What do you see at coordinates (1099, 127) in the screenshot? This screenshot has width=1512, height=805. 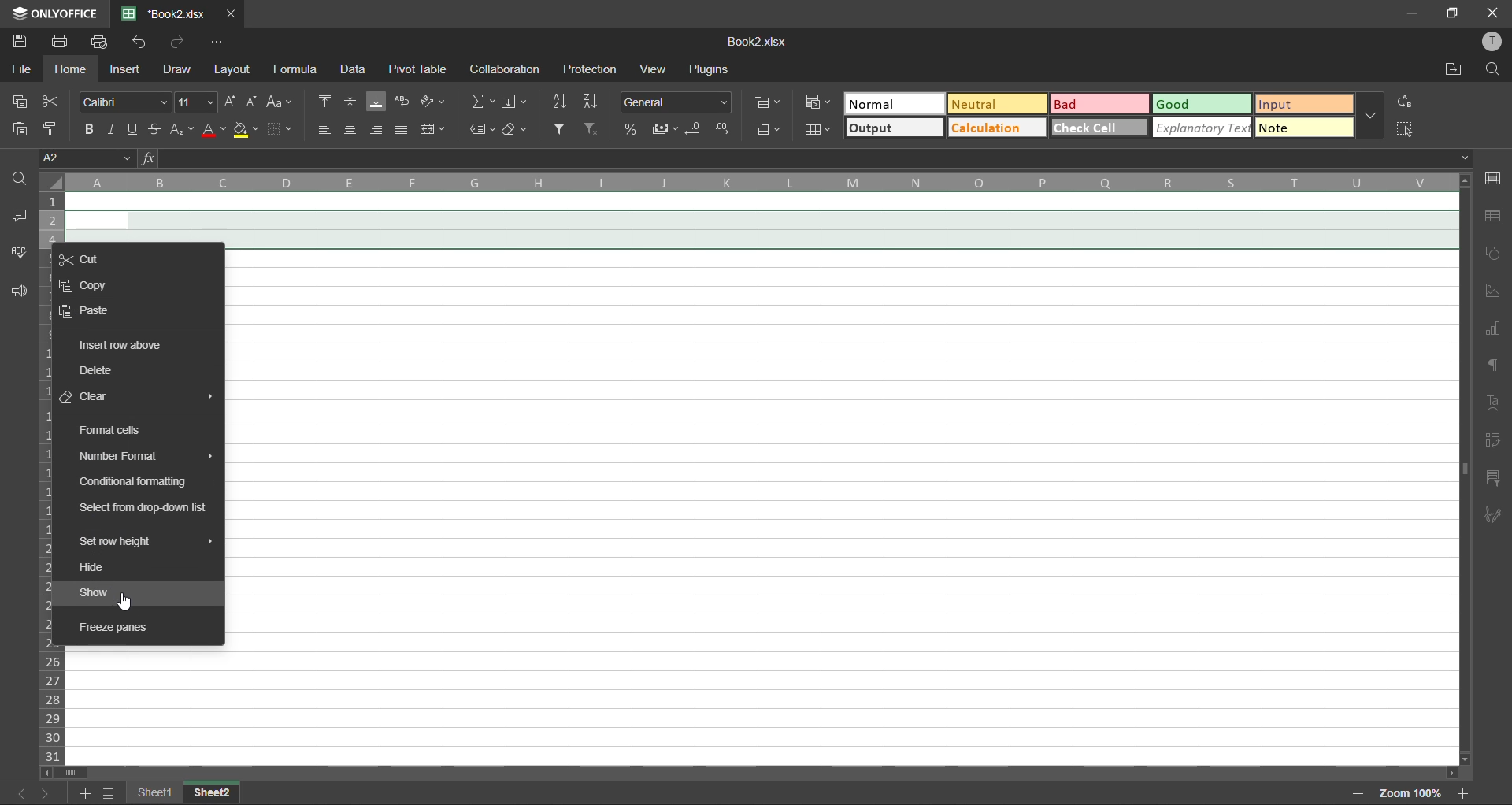 I see `check cell` at bounding box center [1099, 127].